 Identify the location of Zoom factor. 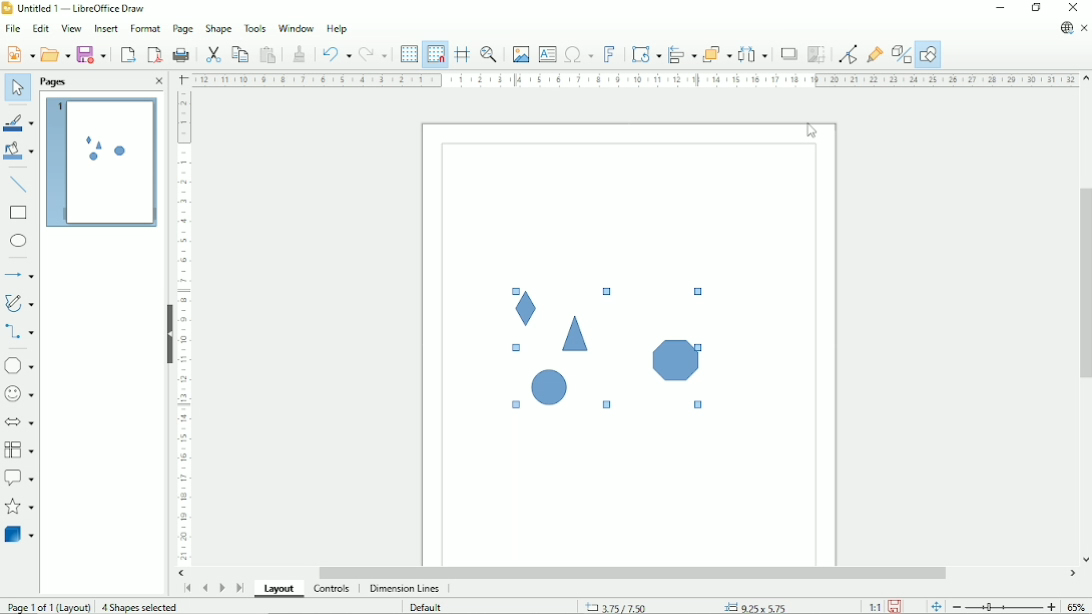
(1078, 606).